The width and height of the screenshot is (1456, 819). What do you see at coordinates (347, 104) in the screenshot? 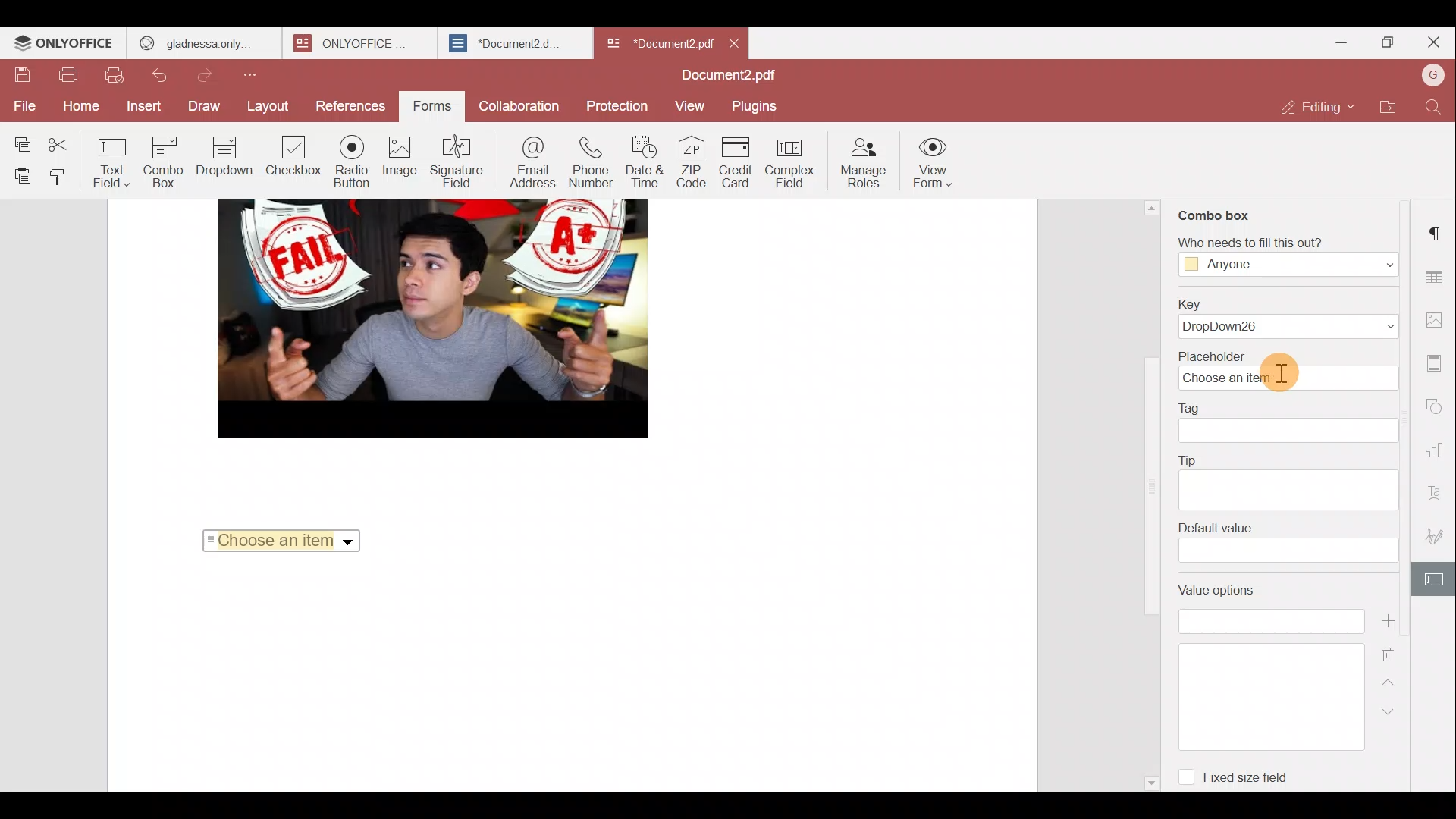
I see `References` at bounding box center [347, 104].